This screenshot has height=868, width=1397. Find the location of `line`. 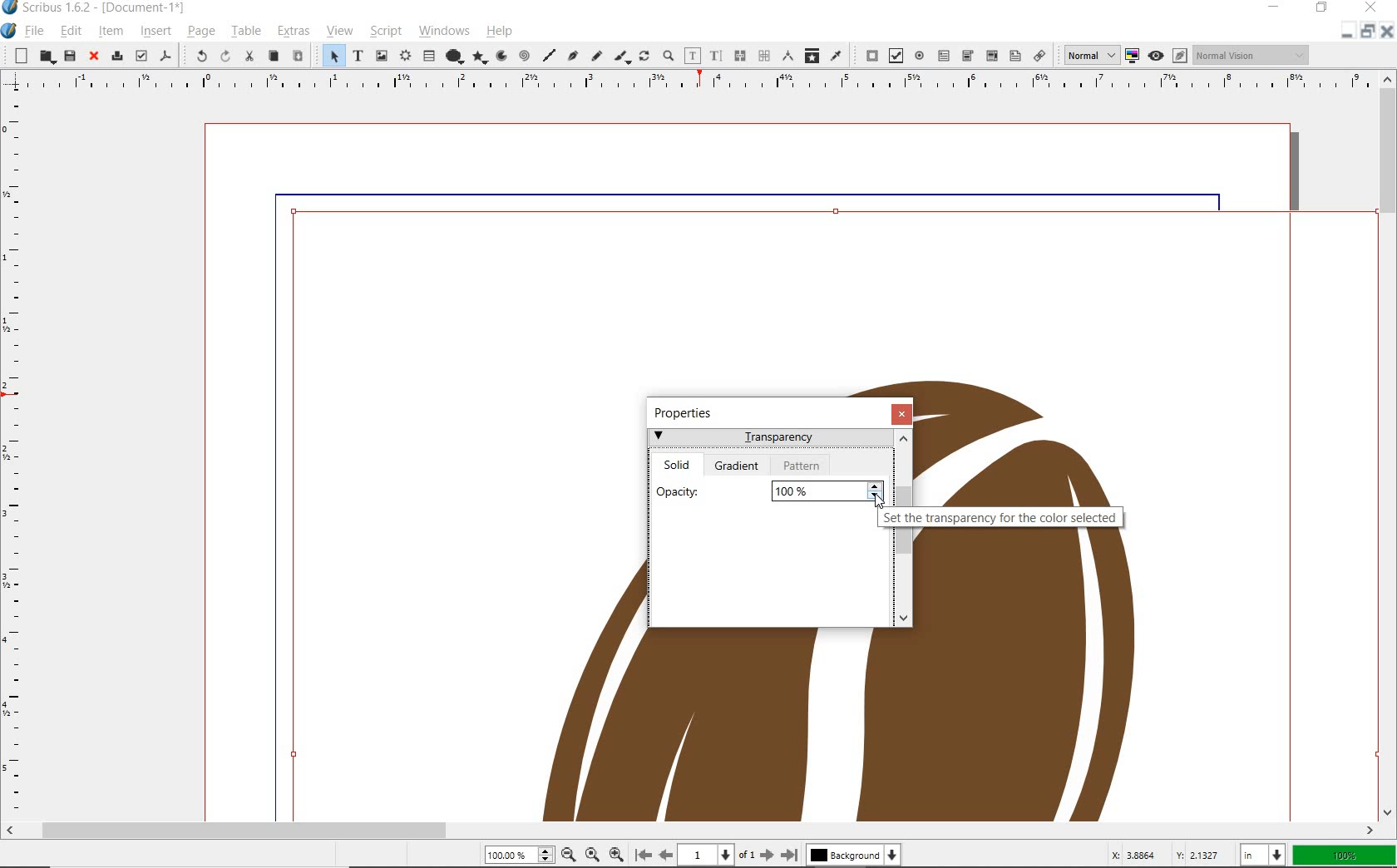

line is located at coordinates (548, 57).